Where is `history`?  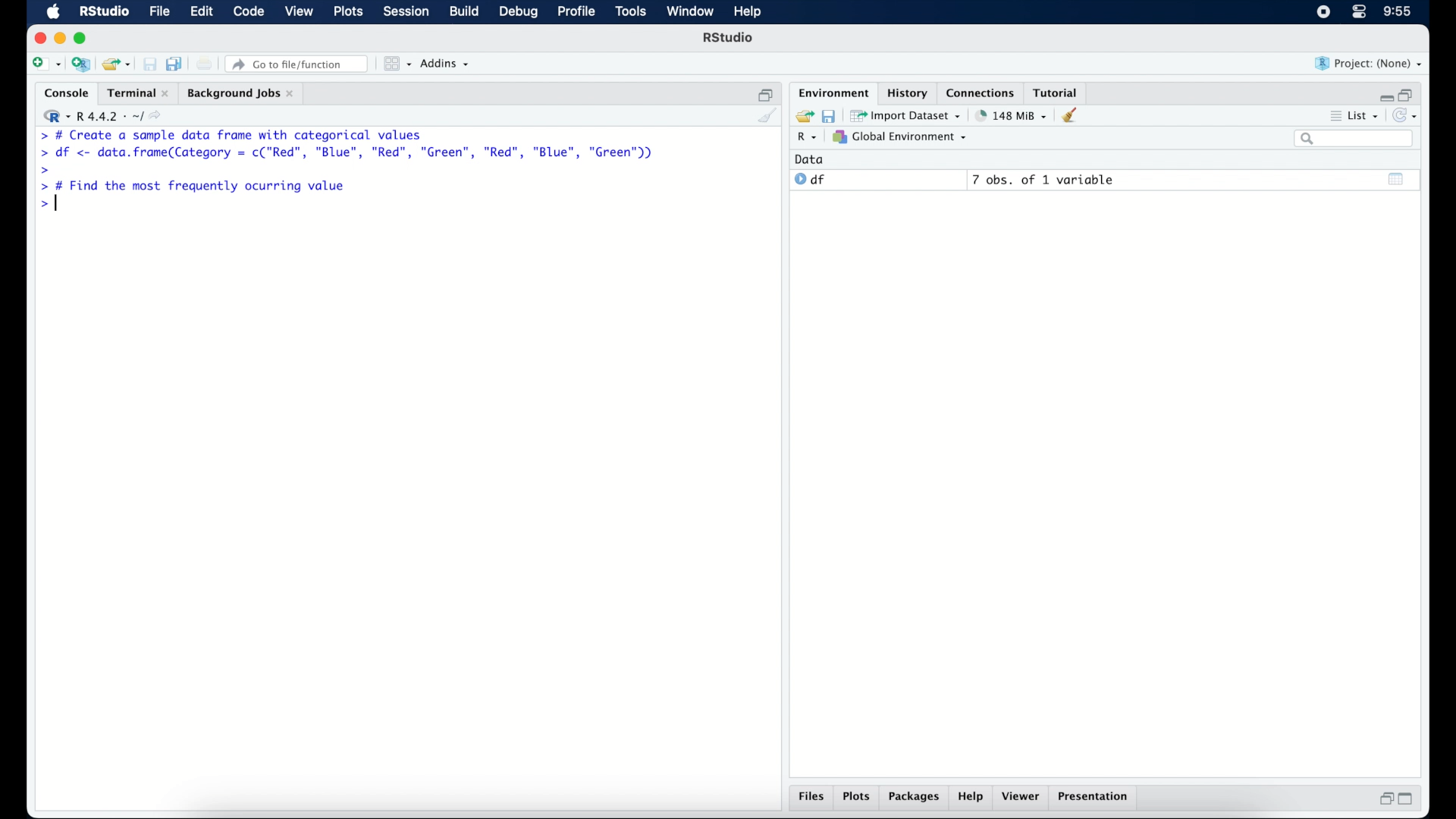
history is located at coordinates (909, 93).